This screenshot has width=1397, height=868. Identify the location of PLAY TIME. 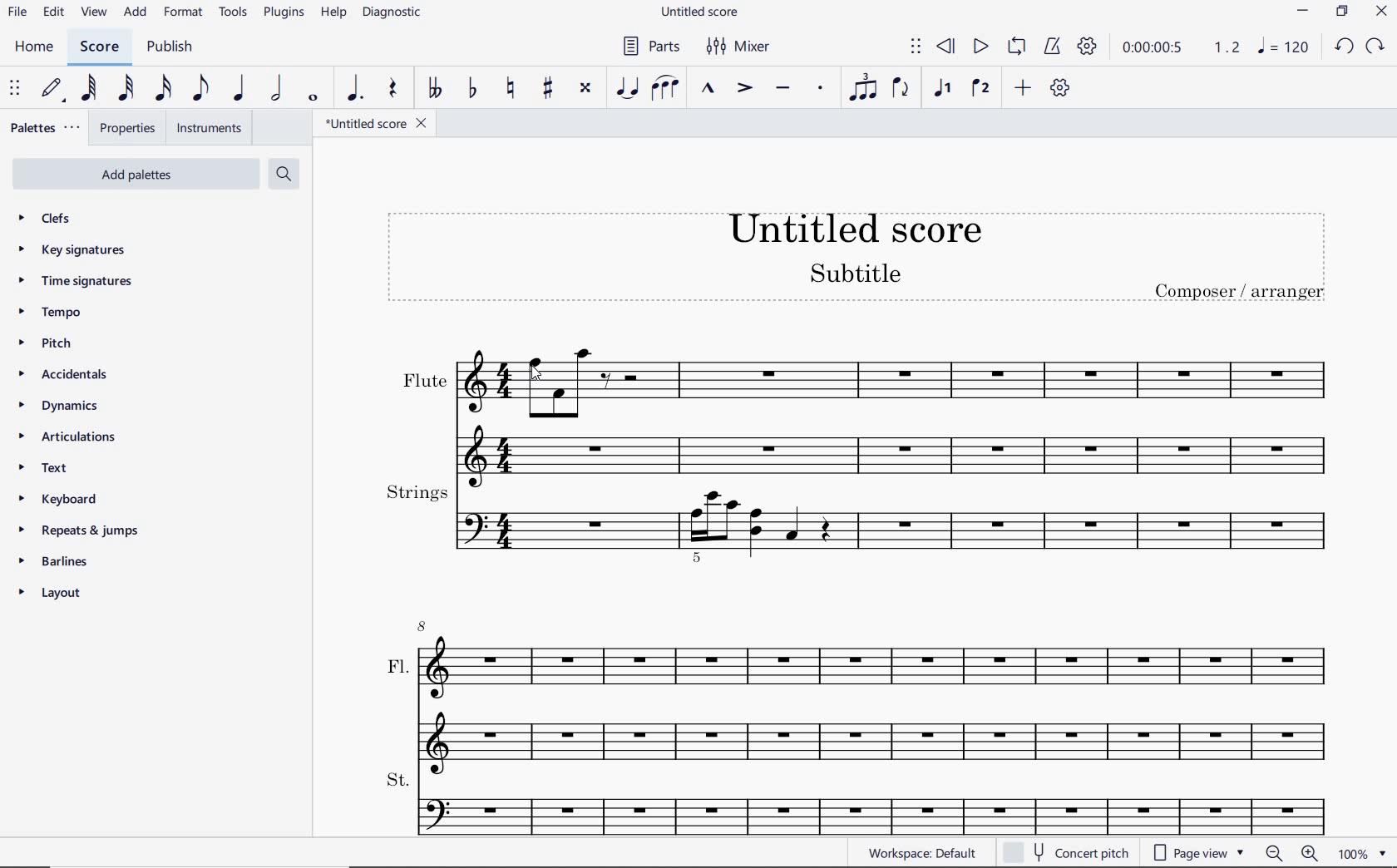
(1179, 47).